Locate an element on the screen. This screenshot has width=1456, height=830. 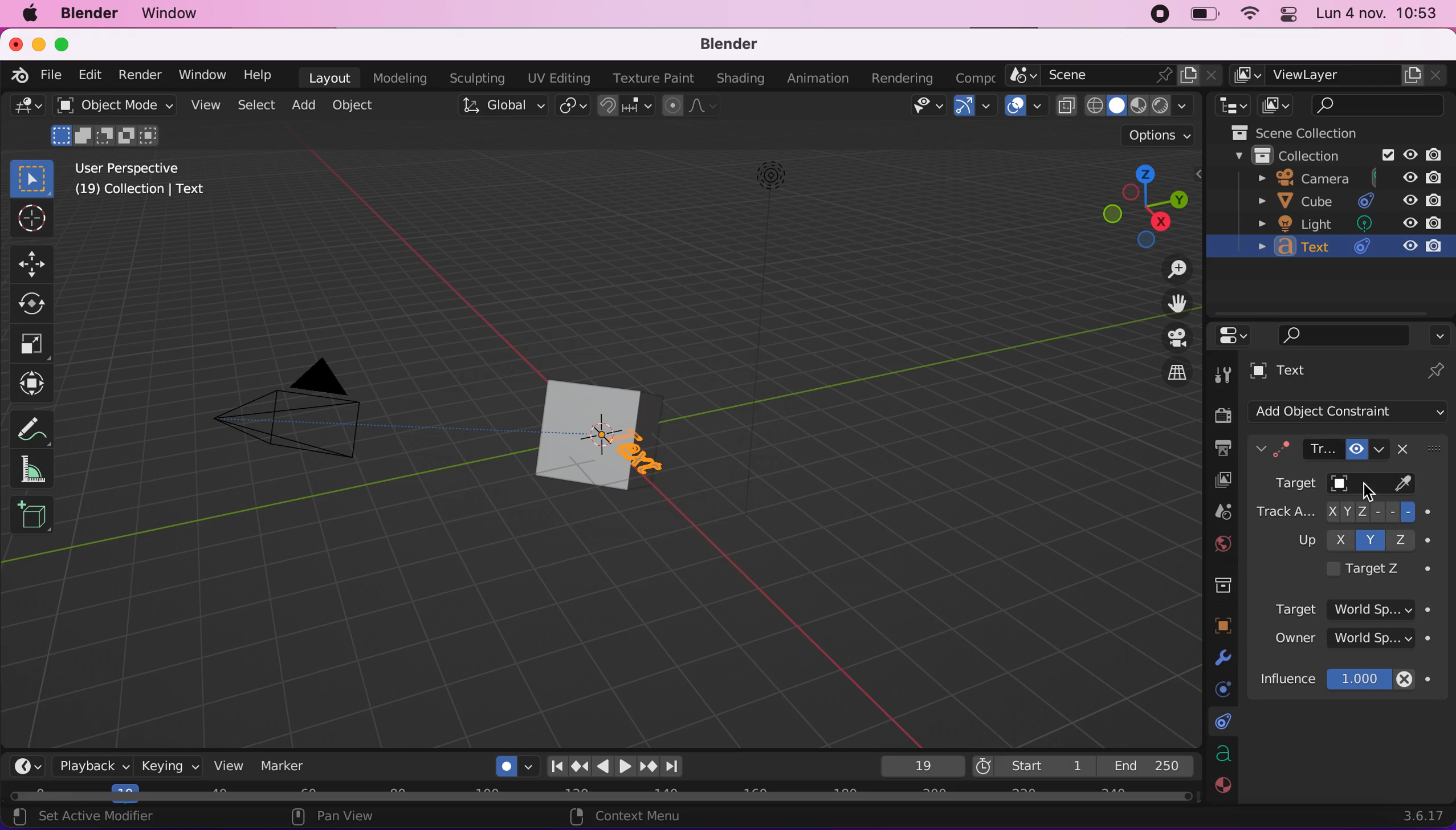
collection is located at coordinates (1329, 157).